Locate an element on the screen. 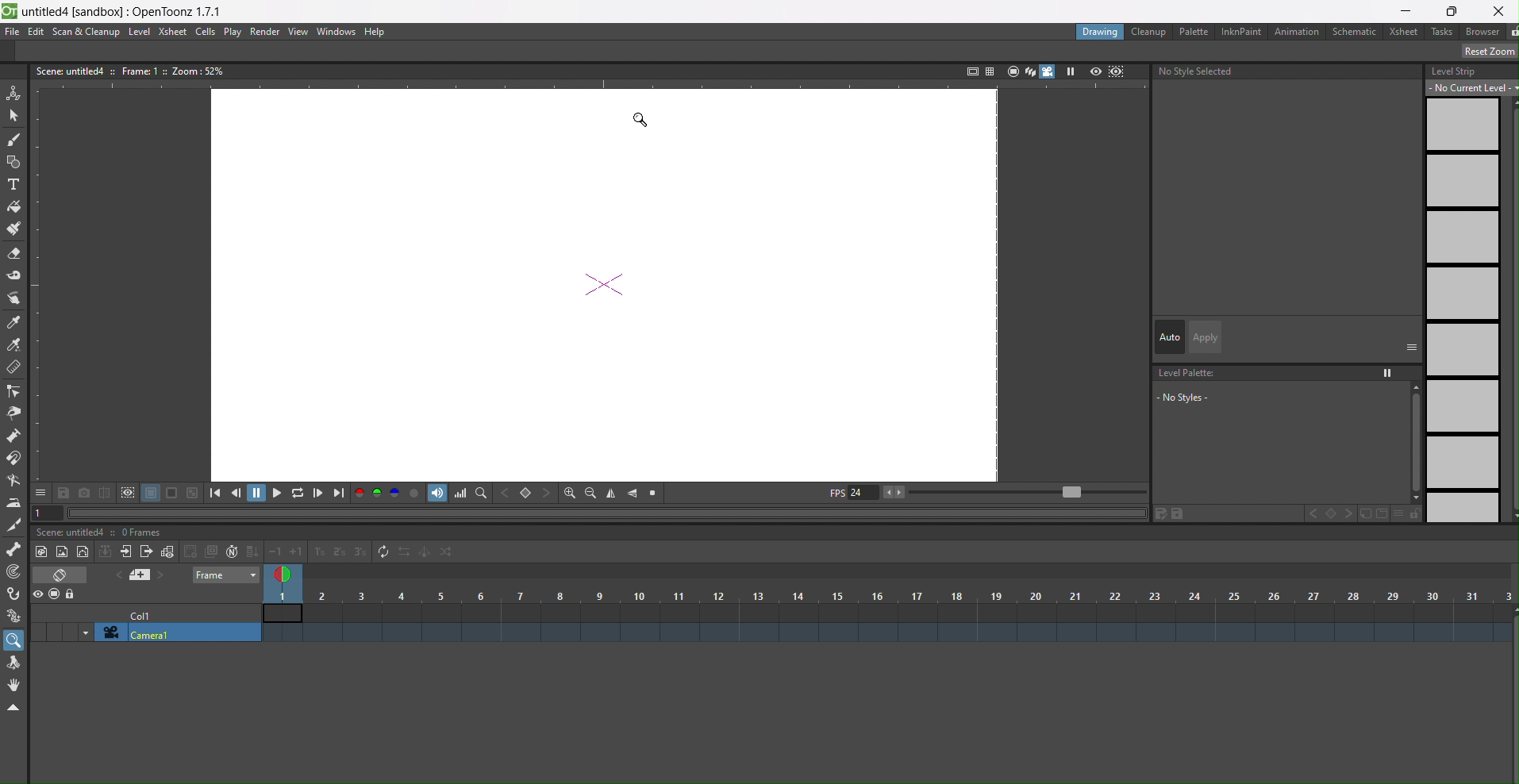 The height and width of the screenshot is (784, 1519).  is located at coordinates (232, 552).